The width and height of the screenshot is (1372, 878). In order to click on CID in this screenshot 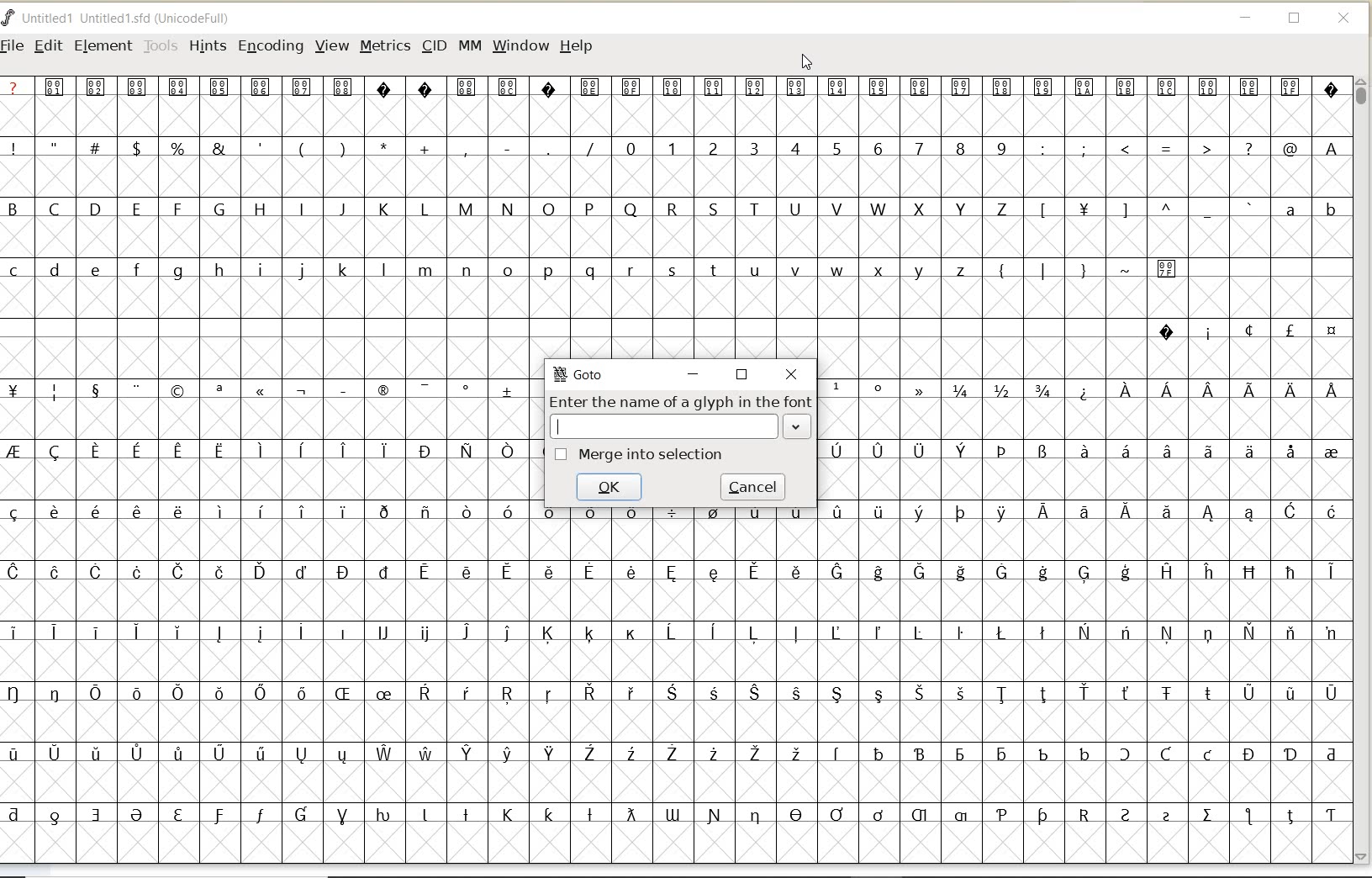, I will do `click(434, 48)`.